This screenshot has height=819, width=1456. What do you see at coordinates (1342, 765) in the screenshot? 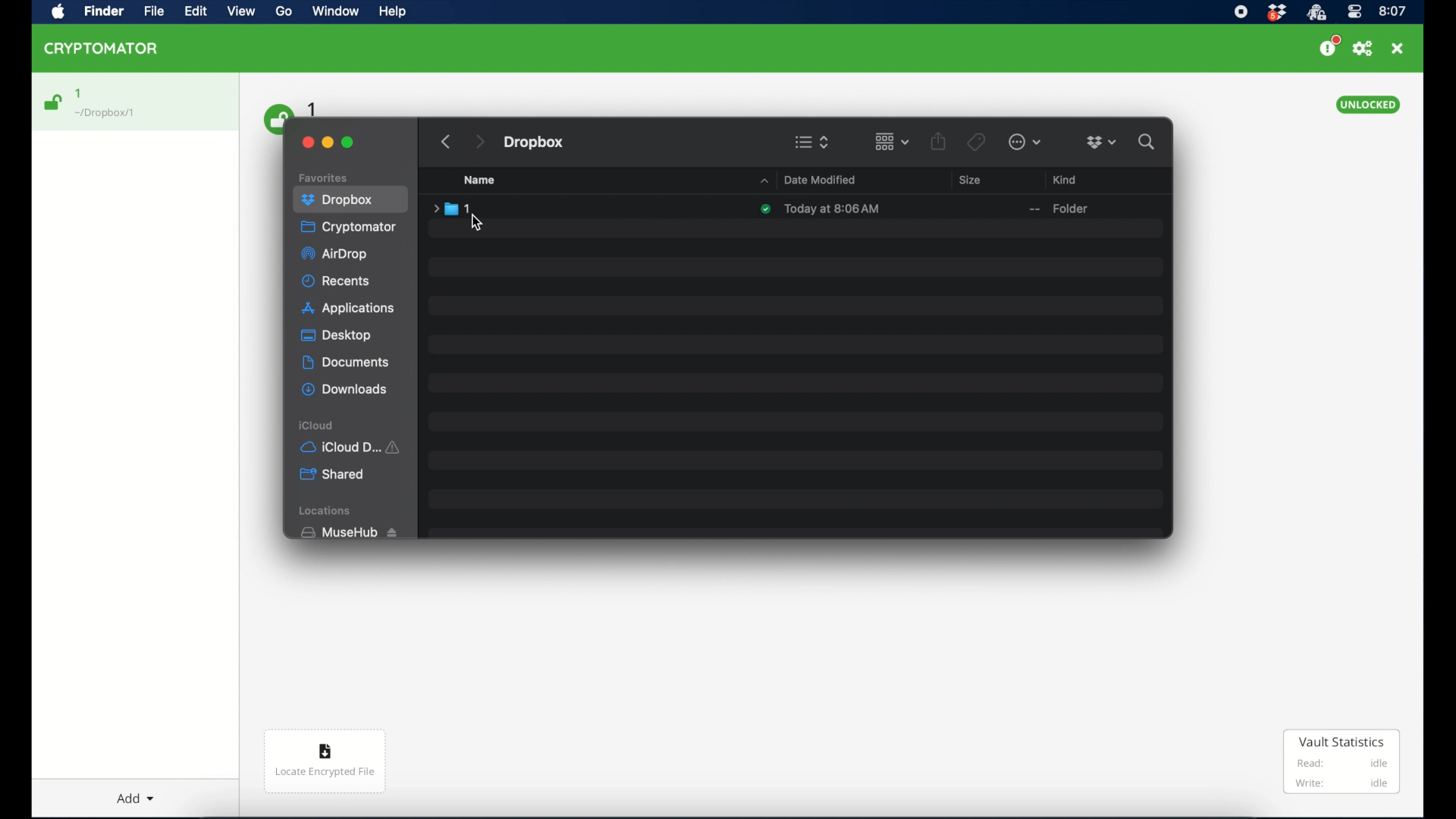
I see `Vault Statistics` at bounding box center [1342, 765].